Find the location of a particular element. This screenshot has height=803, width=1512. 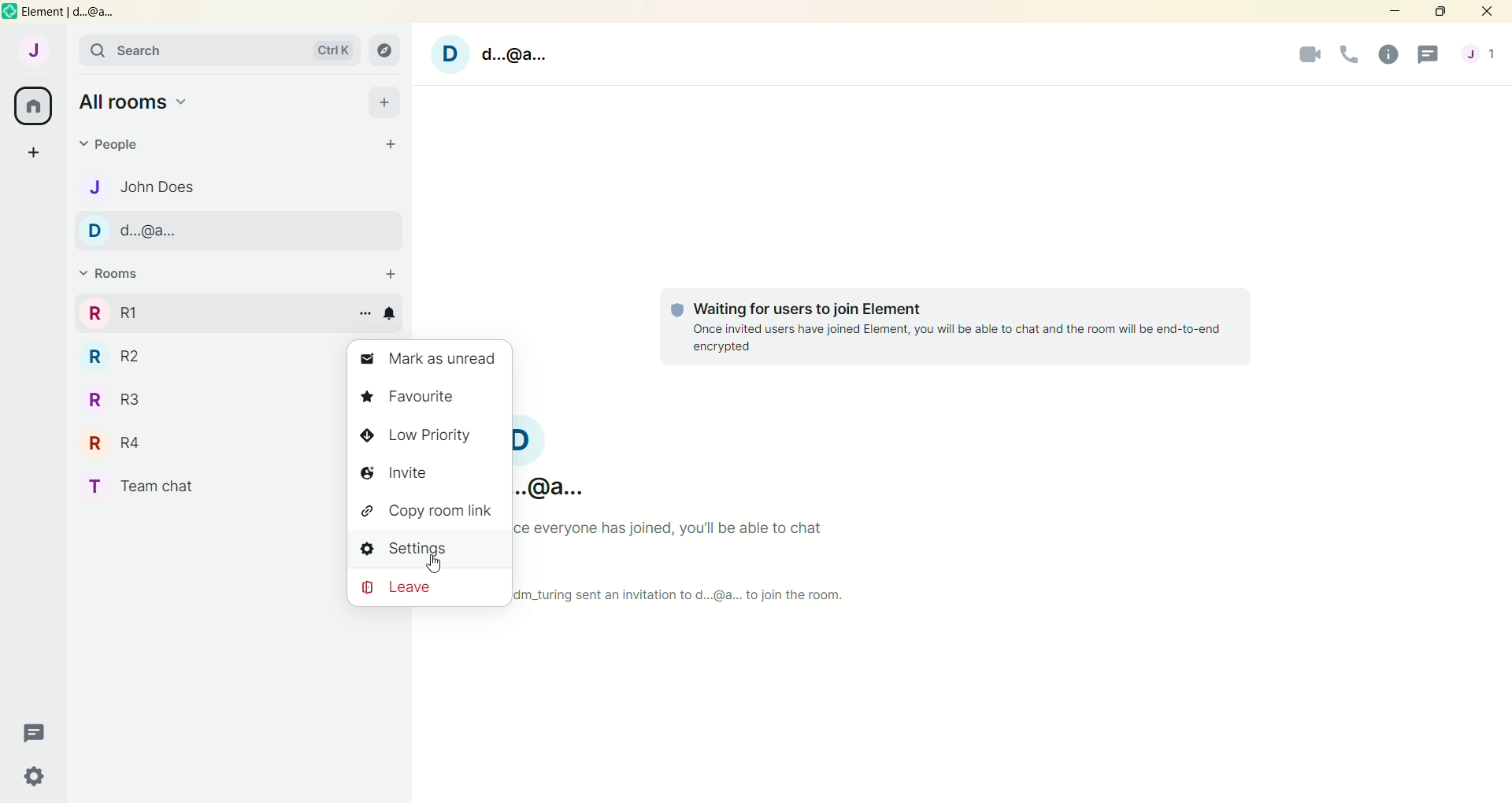

J is located at coordinates (31, 50).